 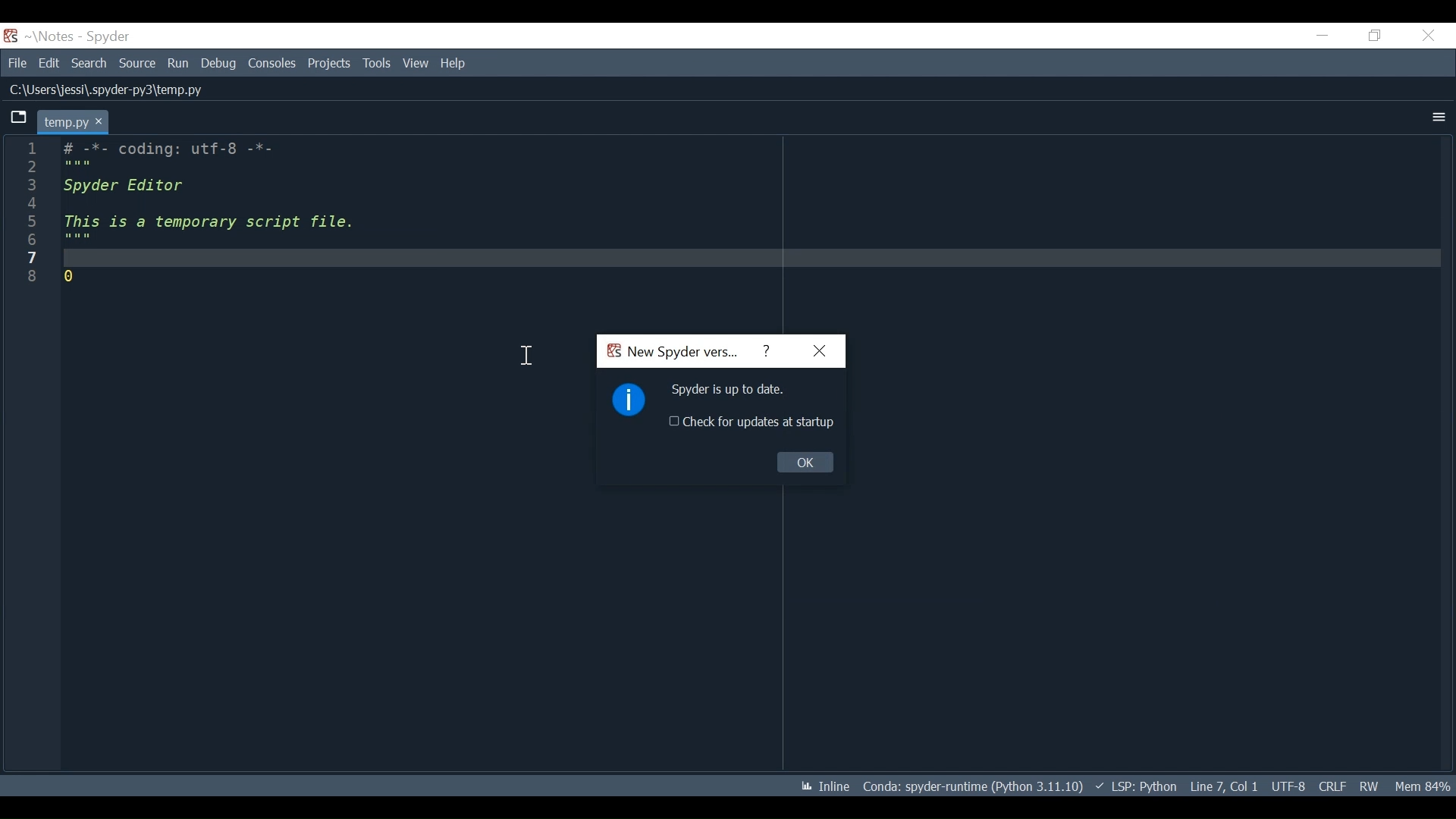 I want to click on Debug, so click(x=220, y=63).